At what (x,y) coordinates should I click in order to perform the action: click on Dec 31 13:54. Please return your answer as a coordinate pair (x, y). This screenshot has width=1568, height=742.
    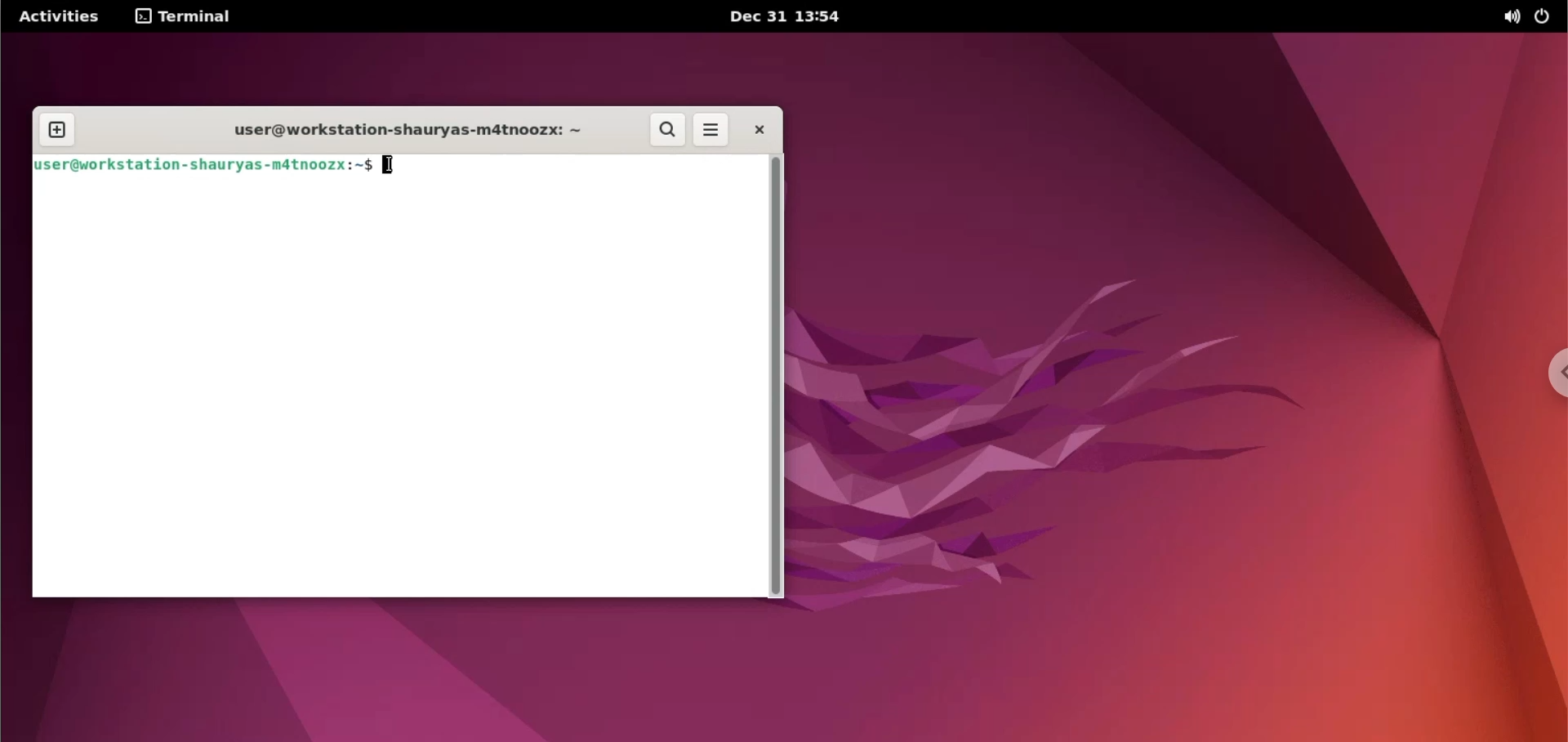
    Looking at the image, I should click on (791, 17).